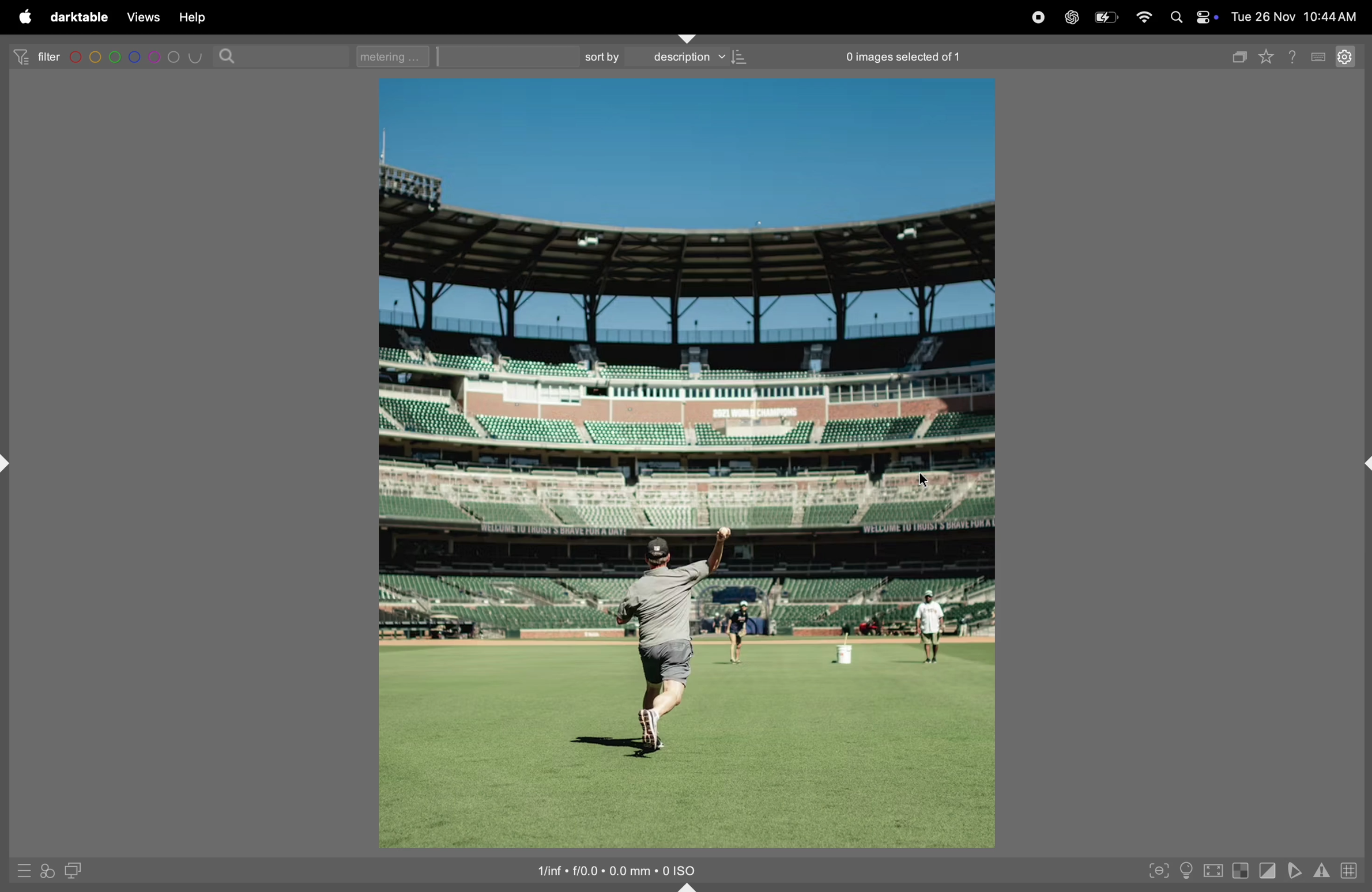  What do you see at coordinates (1205, 20) in the screenshot?
I see `apple widgets` at bounding box center [1205, 20].